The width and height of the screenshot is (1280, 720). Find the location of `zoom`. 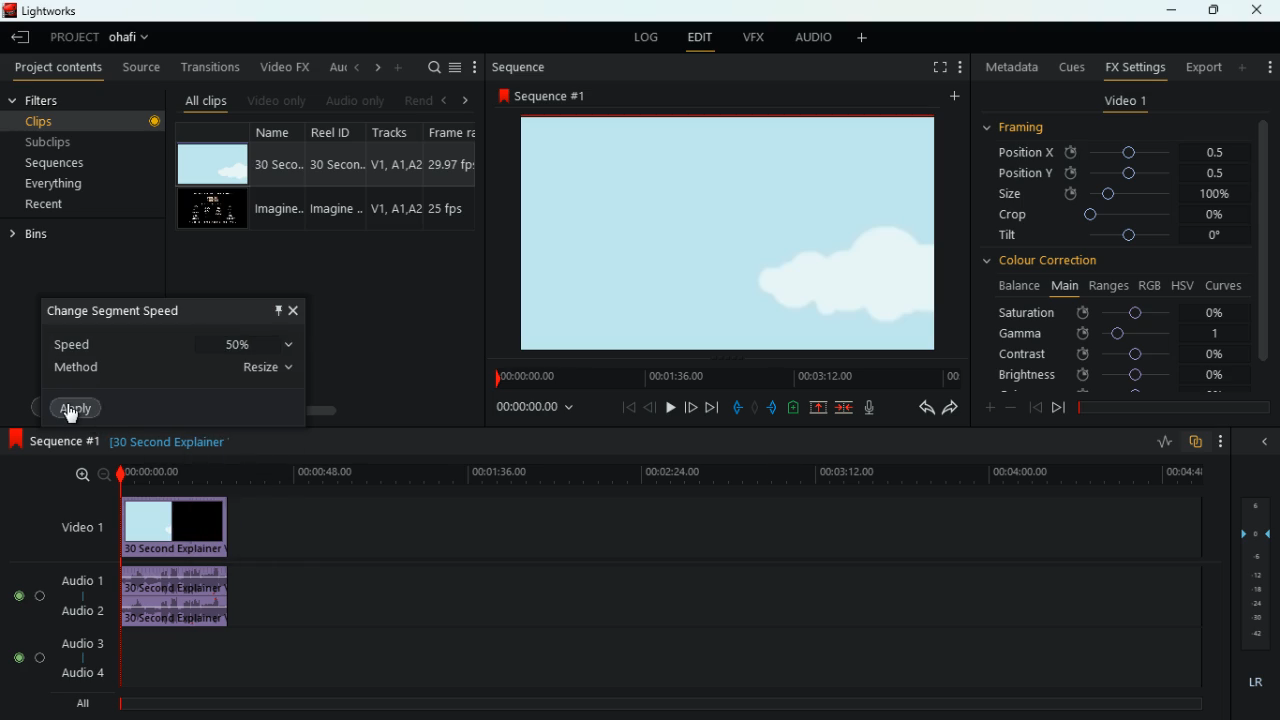

zoom is located at coordinates (91, 475).